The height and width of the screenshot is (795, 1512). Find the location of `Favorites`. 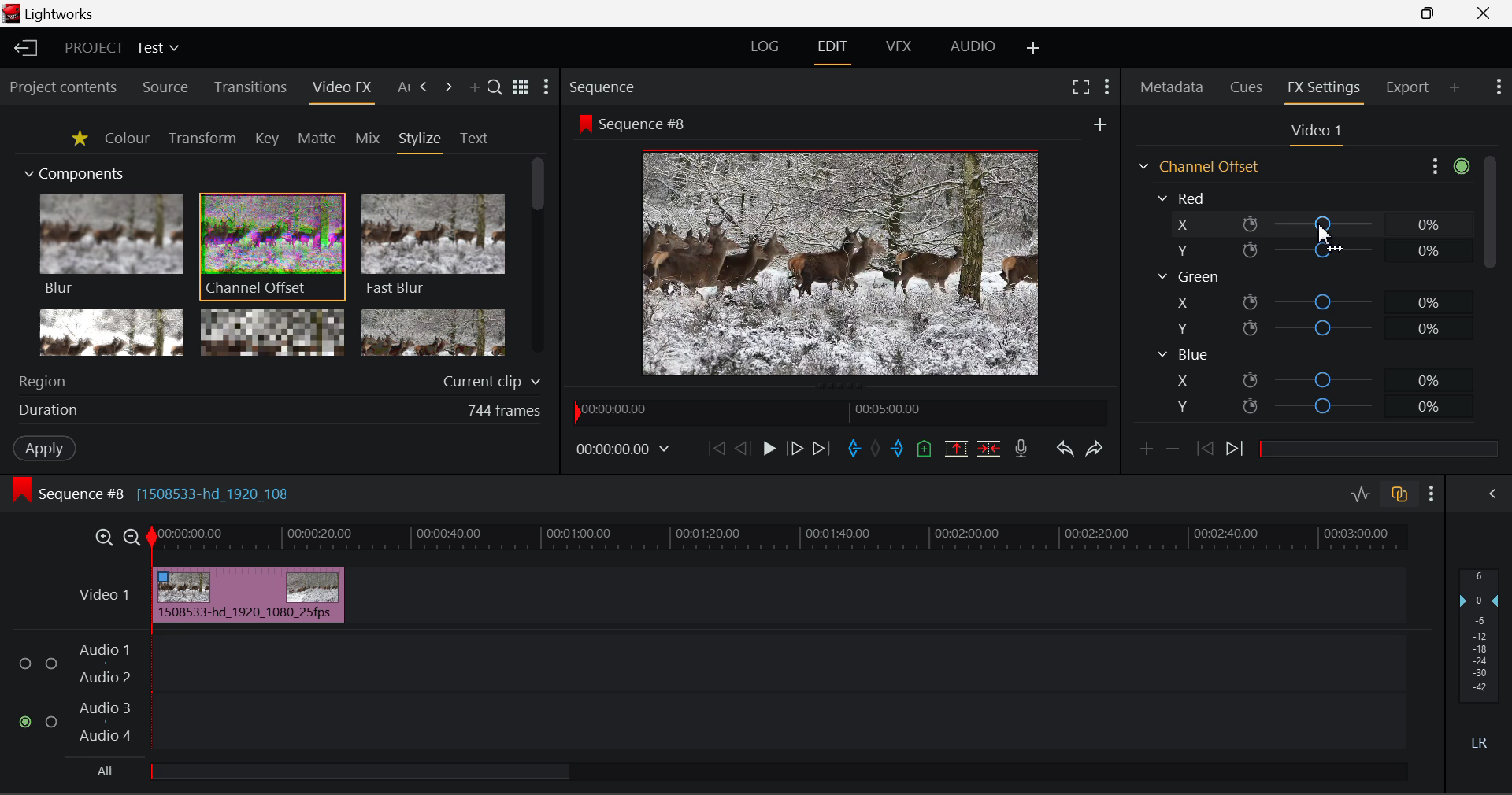

Favorites is located at coordinates (79, 140).